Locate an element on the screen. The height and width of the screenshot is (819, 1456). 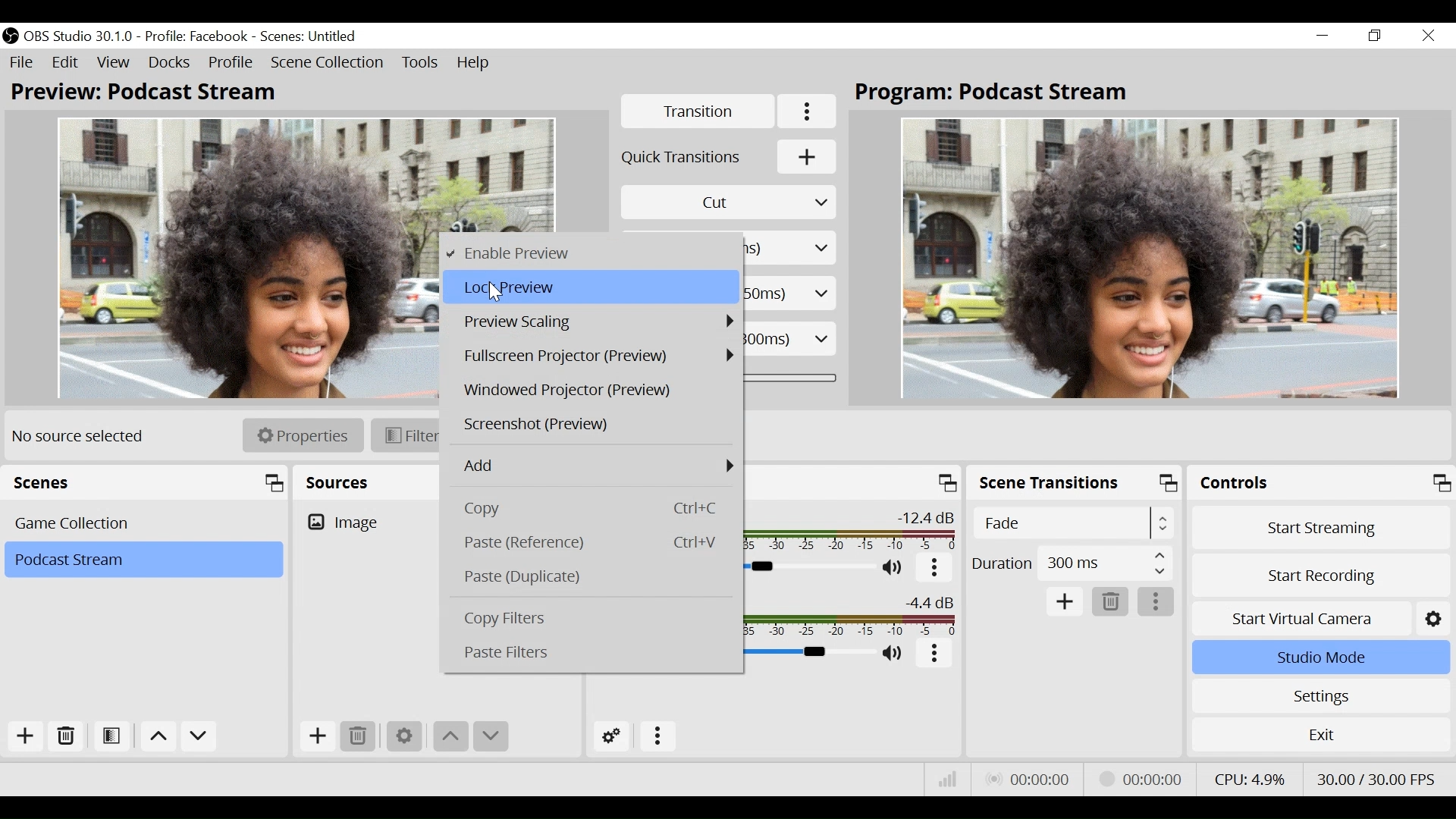
Paste Filters is located at coordinates (598, 653).